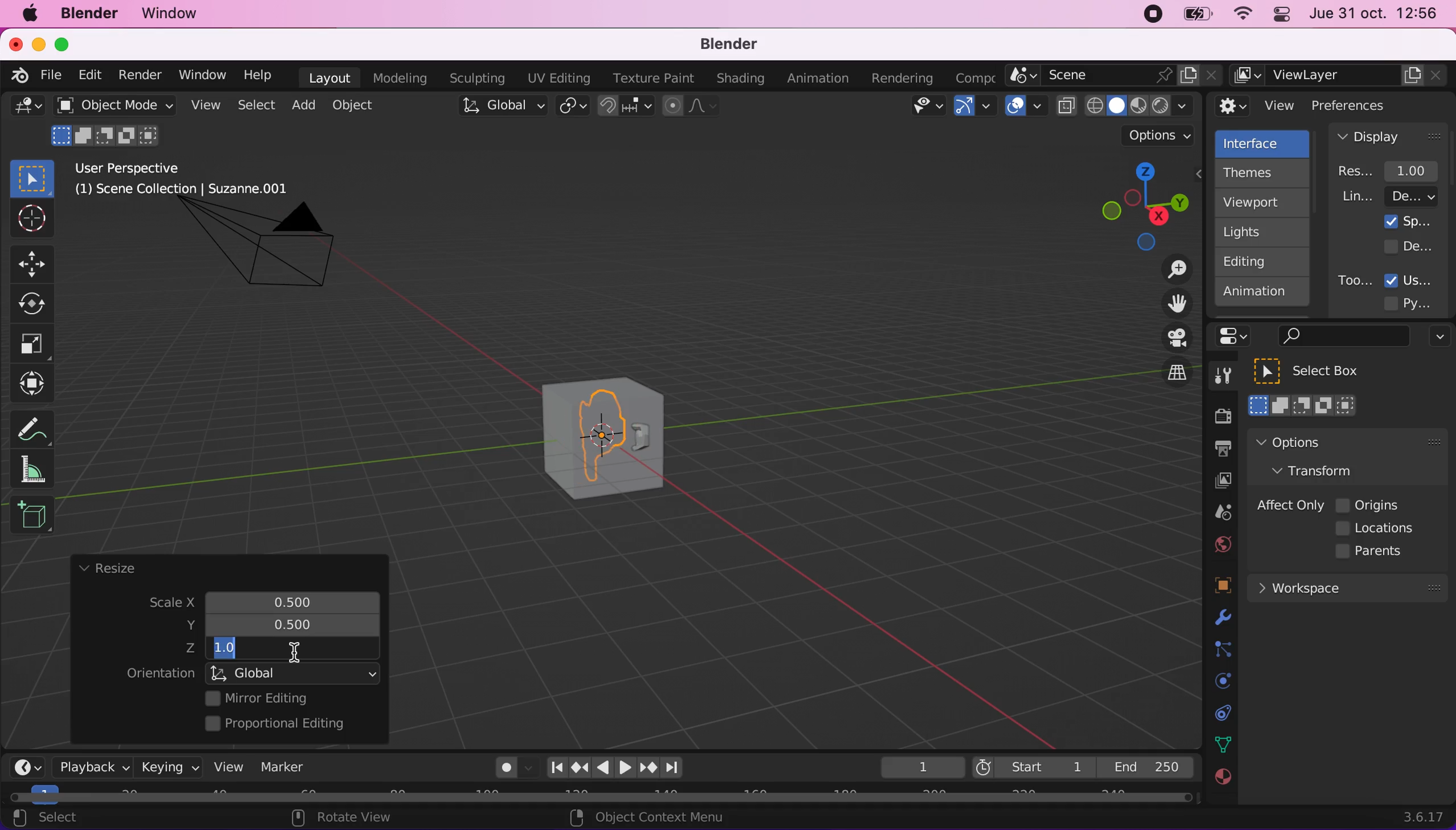 The image size is (1456, 830). What do you see at coordinates (1264, 142) in the screenshot?
I see `interface` at bounding box center [1264, 142].